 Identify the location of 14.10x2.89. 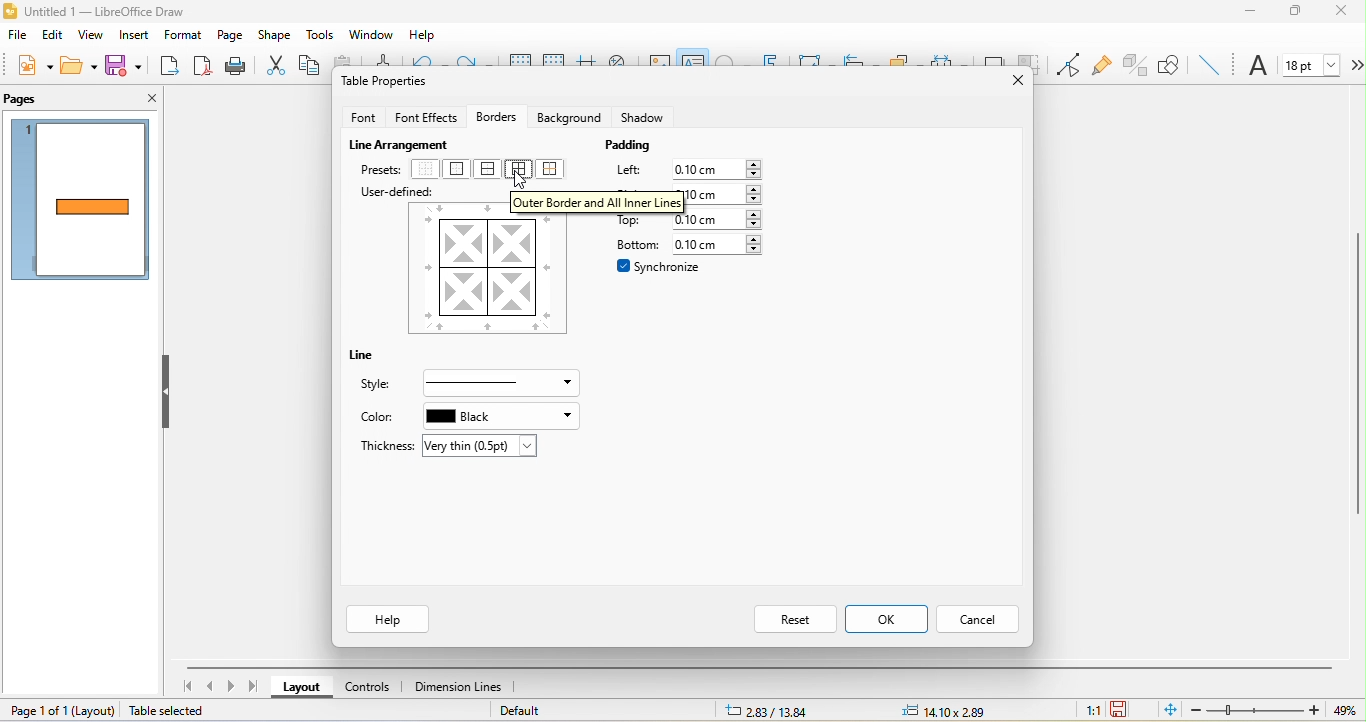
(947, 709).